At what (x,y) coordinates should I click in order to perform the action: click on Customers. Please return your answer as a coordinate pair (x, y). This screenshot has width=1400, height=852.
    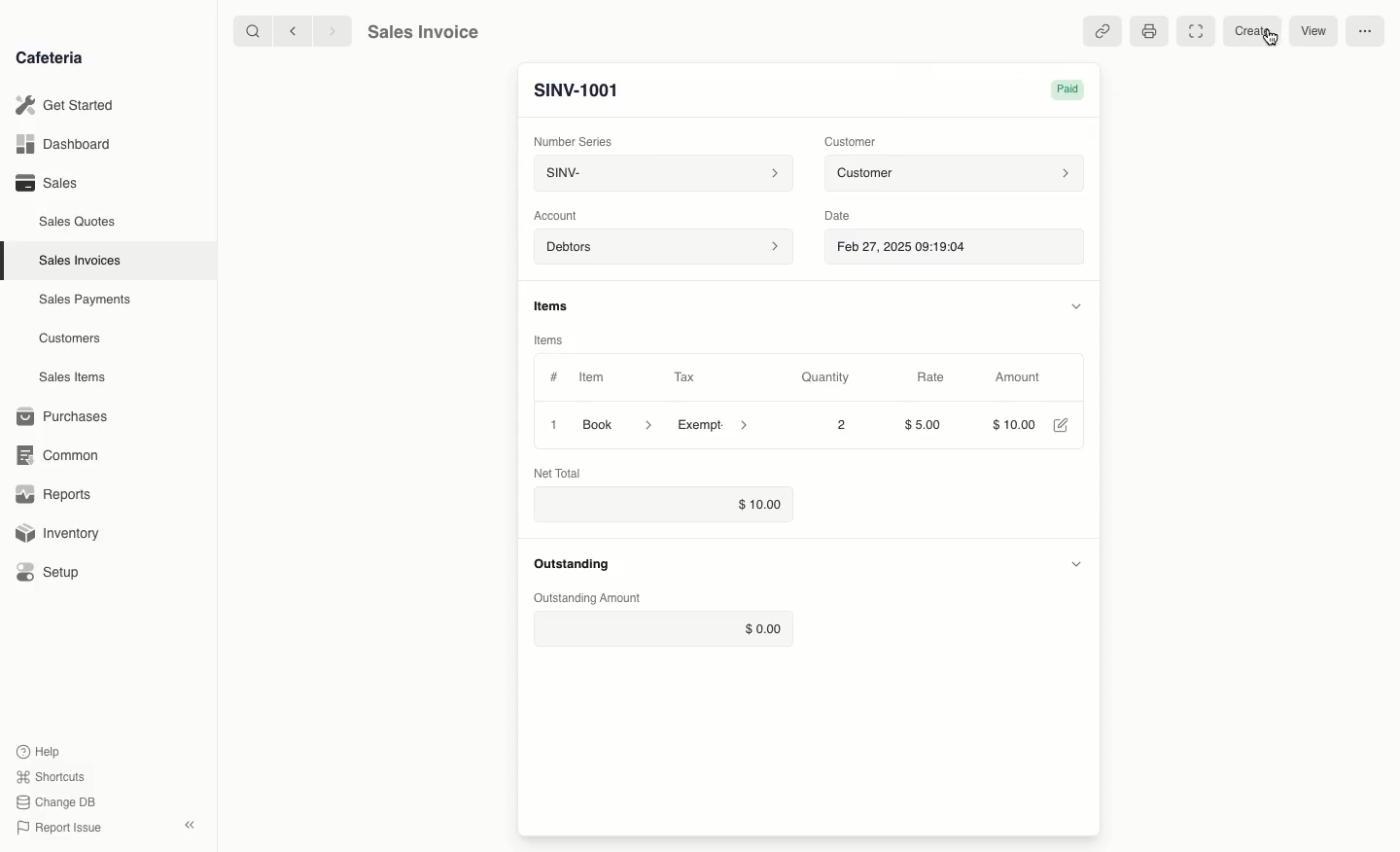
    Looking at the image, I should click on (70, 339).